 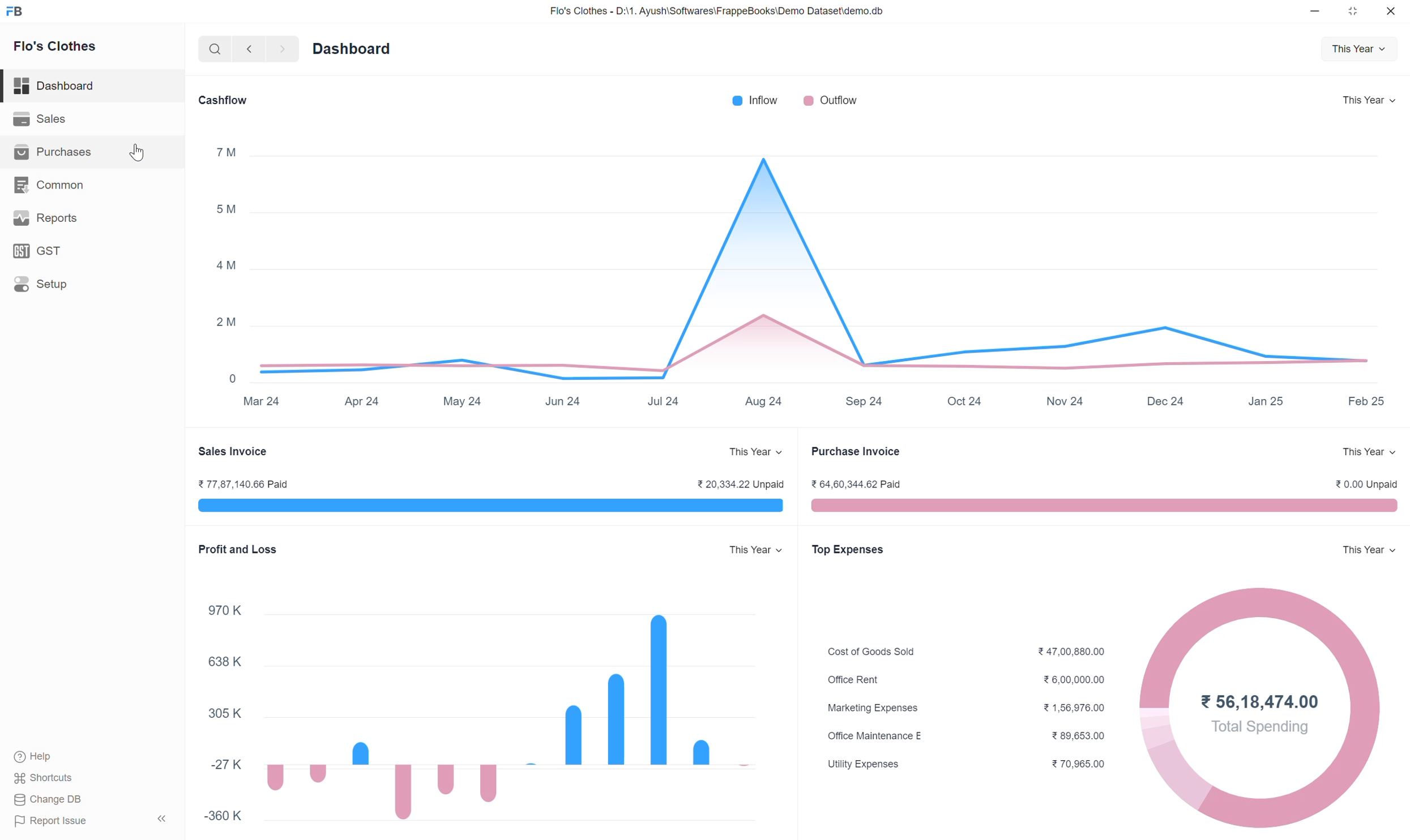 I want to click on 77,87,140.66 Paid, so click(x=242, y=485).